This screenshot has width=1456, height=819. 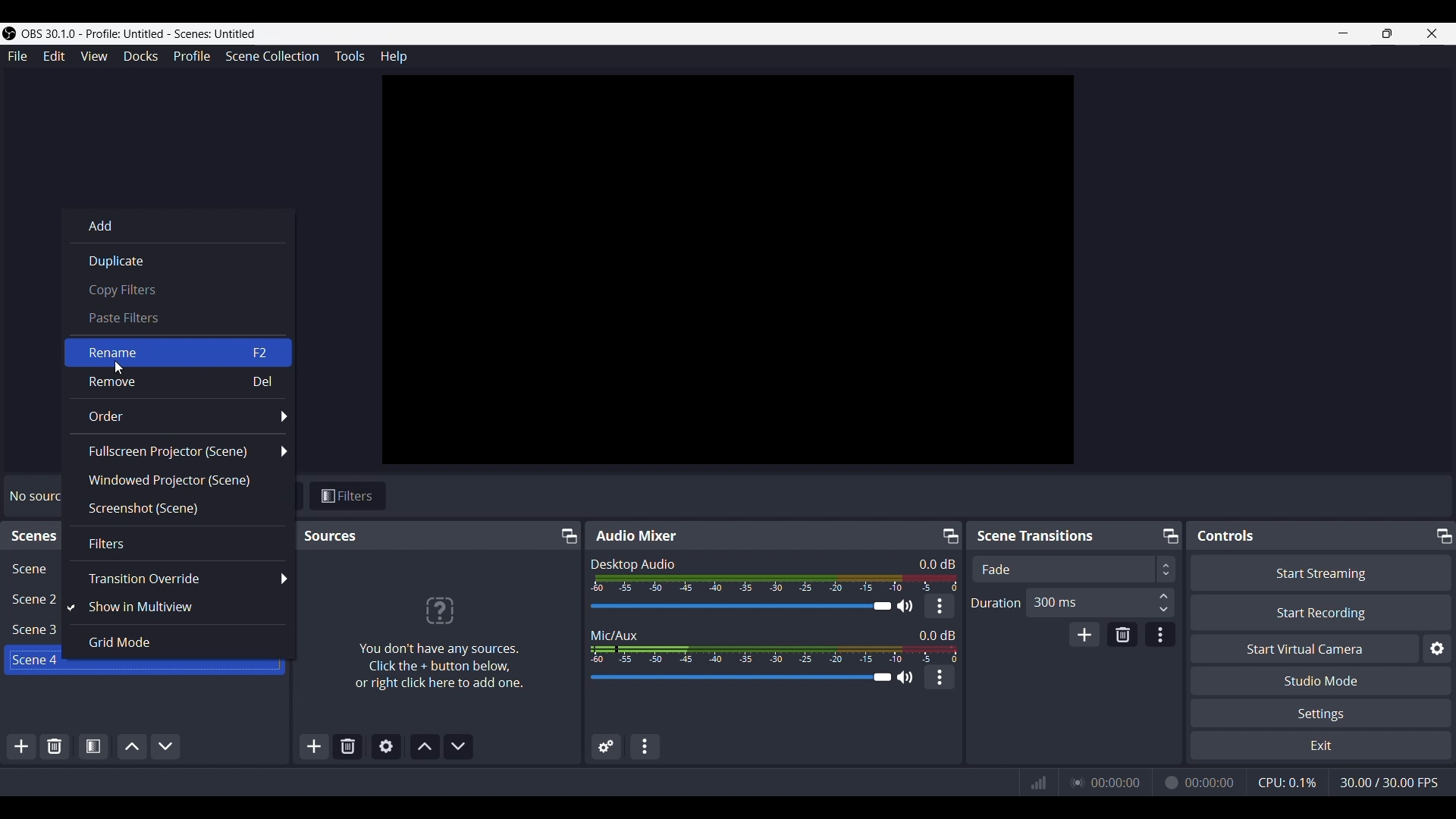 What do you see at coordinates (1075, 783) in the screenshot?
I see `Streaming` at bounding box center [1075, 783].